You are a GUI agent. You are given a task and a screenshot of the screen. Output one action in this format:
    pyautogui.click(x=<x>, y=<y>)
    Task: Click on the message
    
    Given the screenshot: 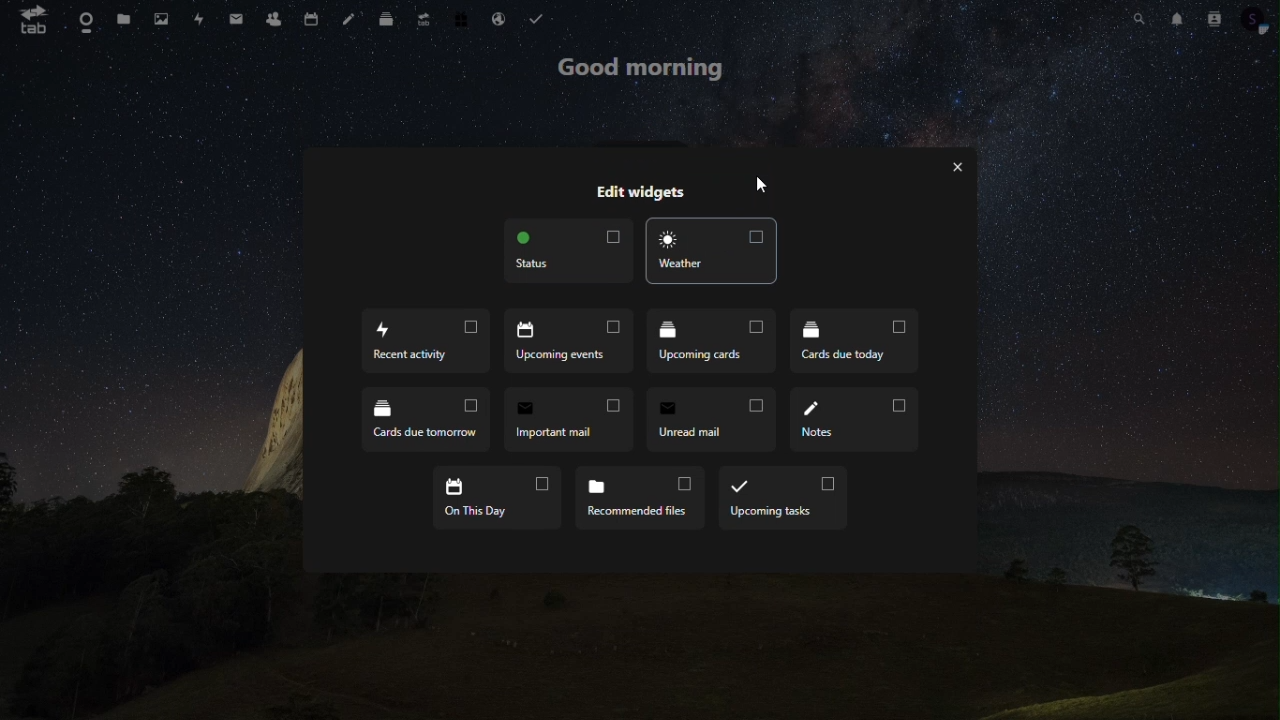 What is the action you would take?
    pyautogui.click(x=234, y=19)
    